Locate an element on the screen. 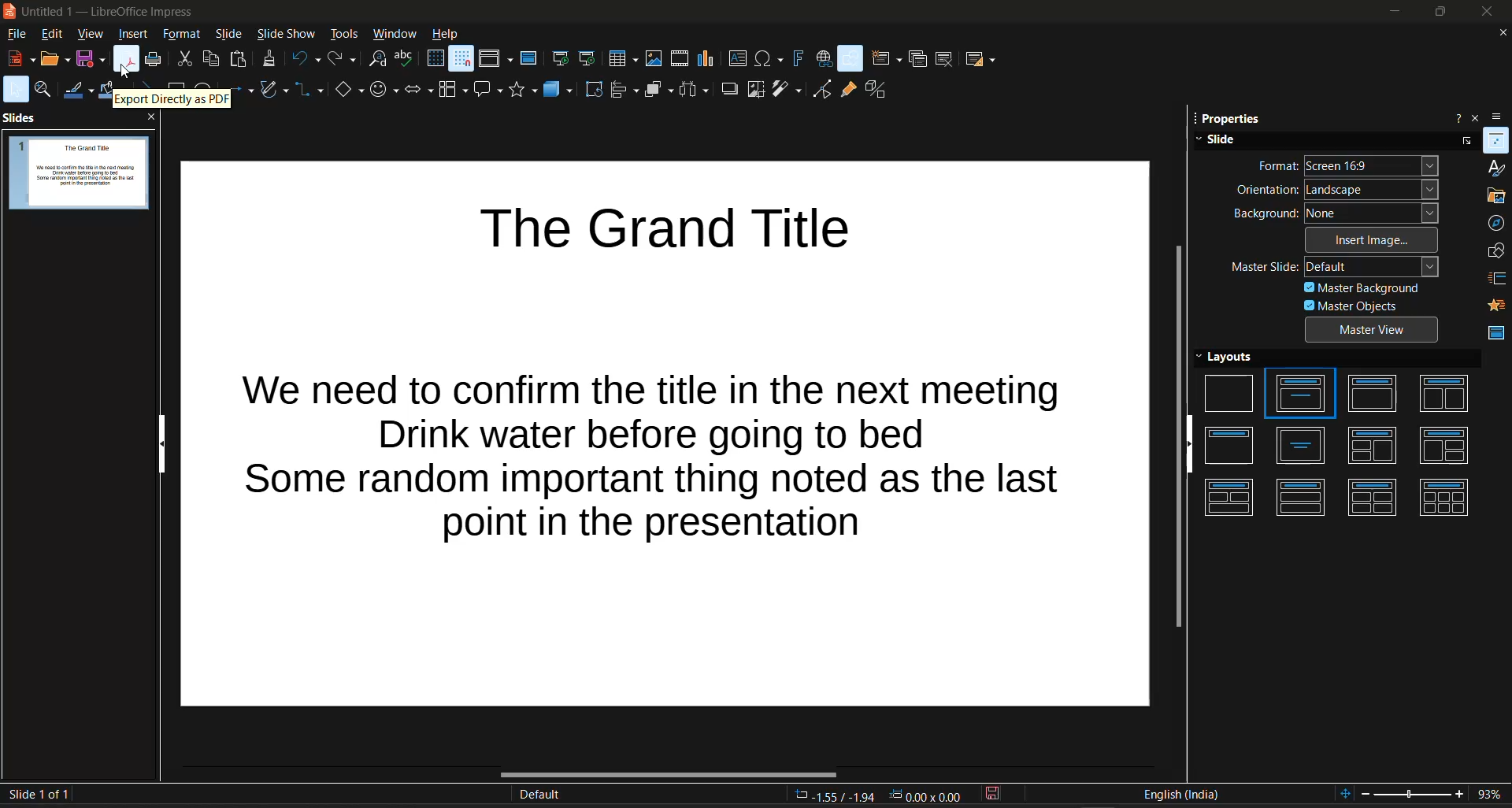  master view is located at coordinates (1374, 330).